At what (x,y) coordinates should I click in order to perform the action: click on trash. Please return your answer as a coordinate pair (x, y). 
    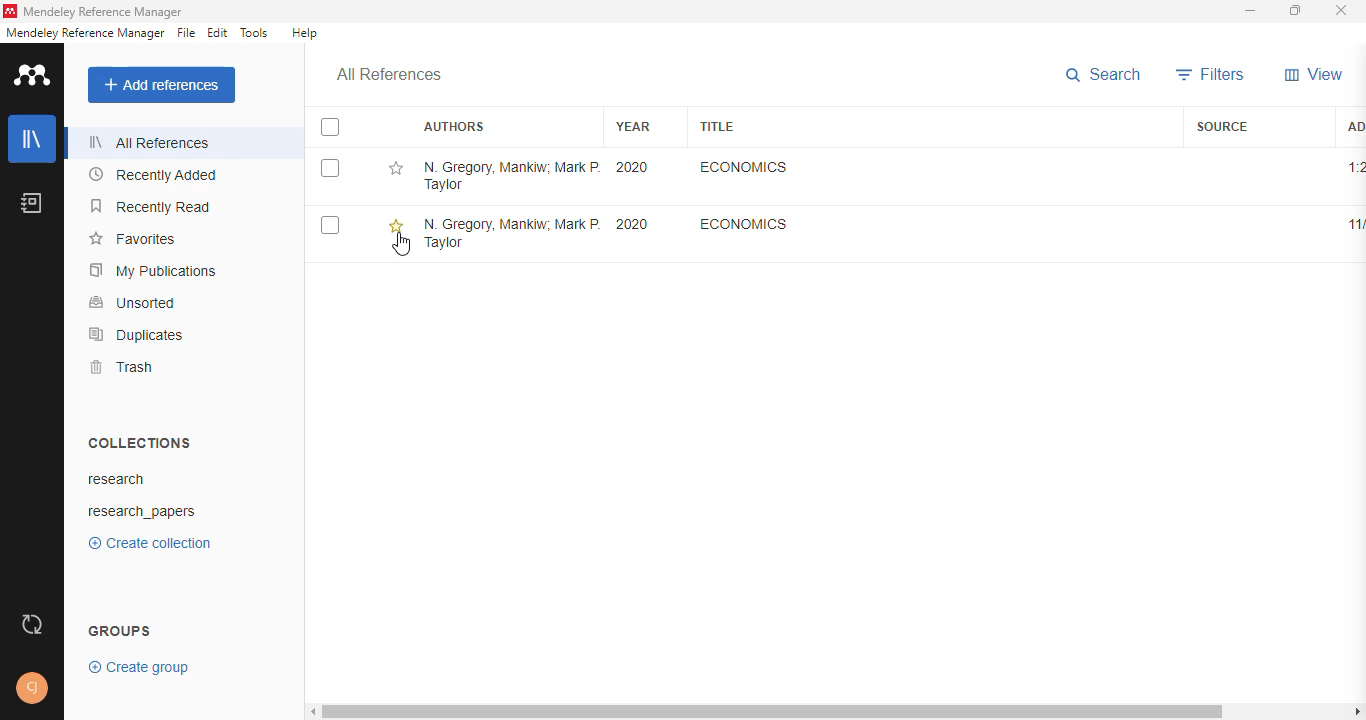
    Looking at the image, I should click on (125, 367).